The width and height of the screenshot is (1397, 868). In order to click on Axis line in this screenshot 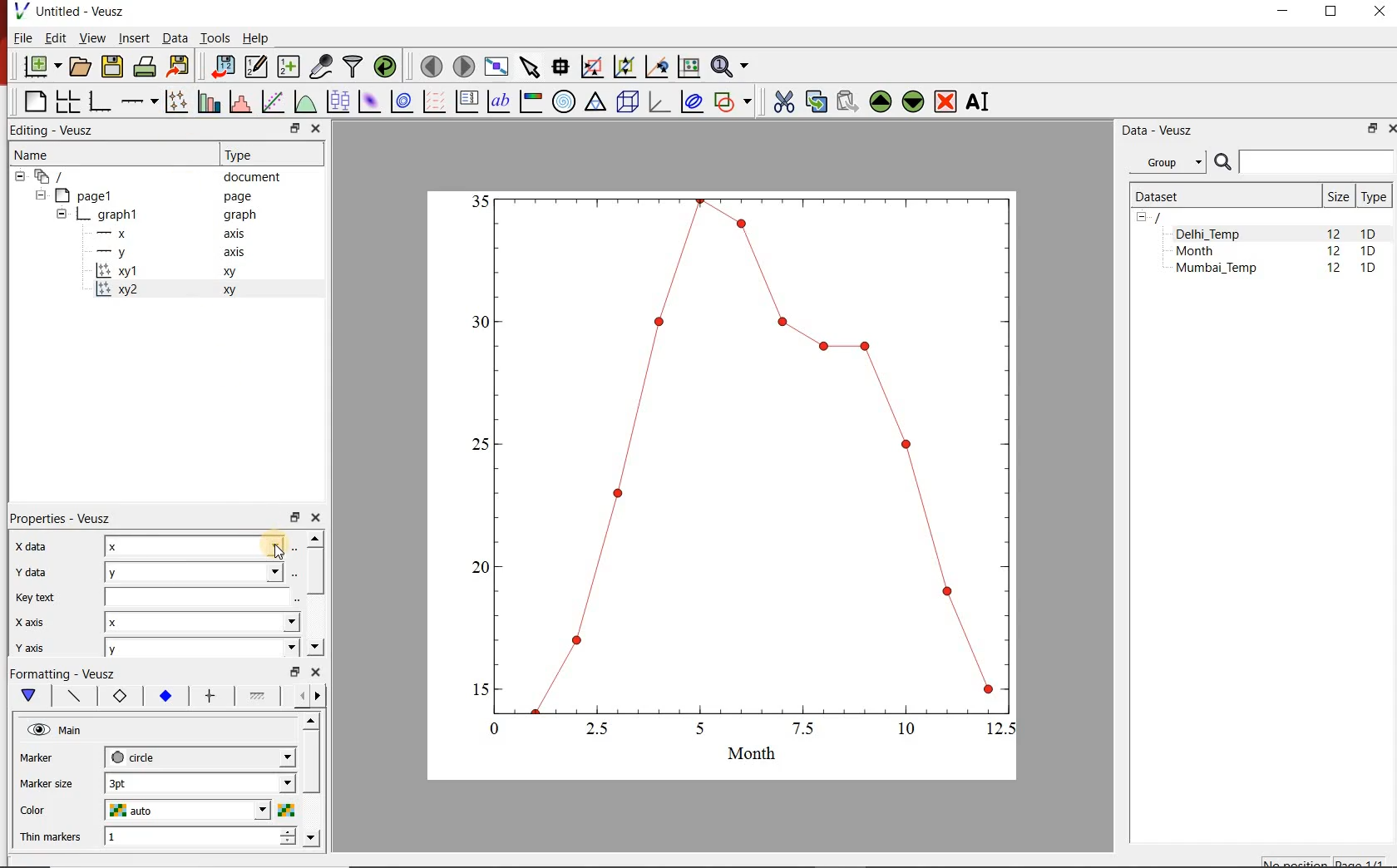, I will do `click(72, 696)`.